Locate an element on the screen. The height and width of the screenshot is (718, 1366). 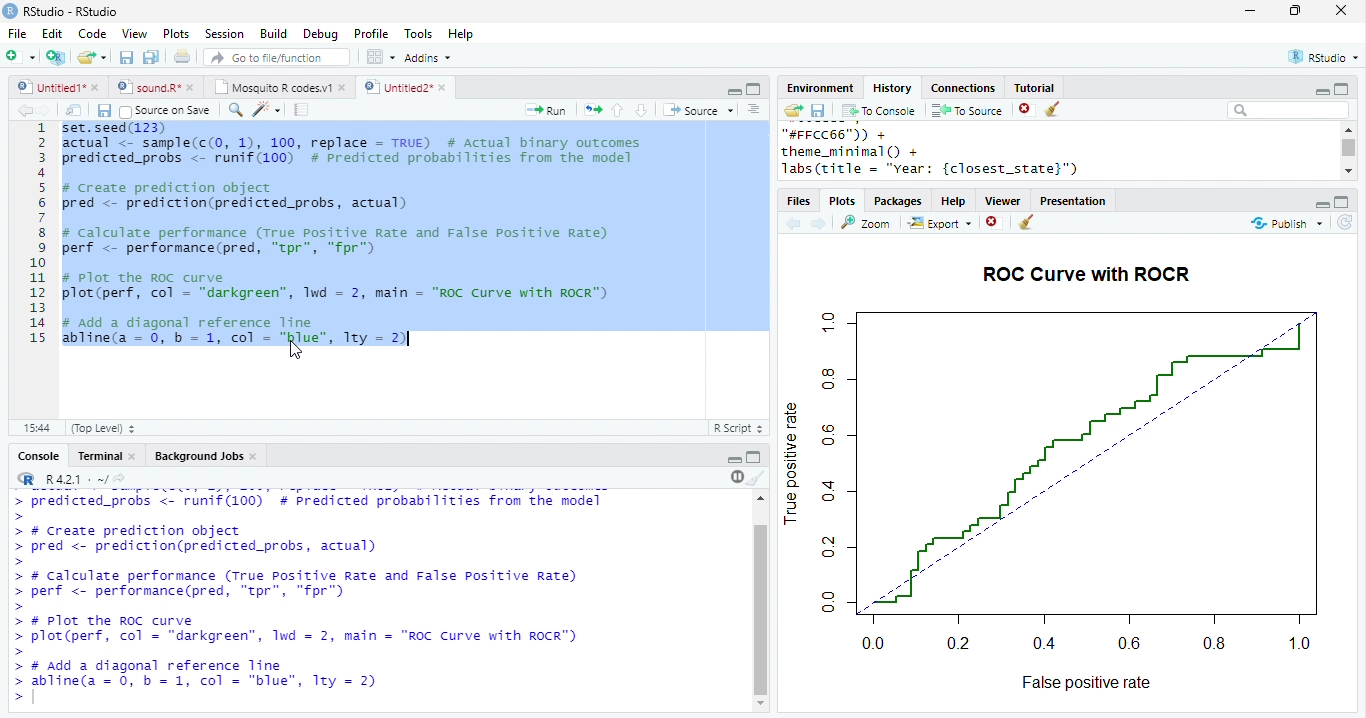
Untitled 1 is located at coordinates (48, 86).